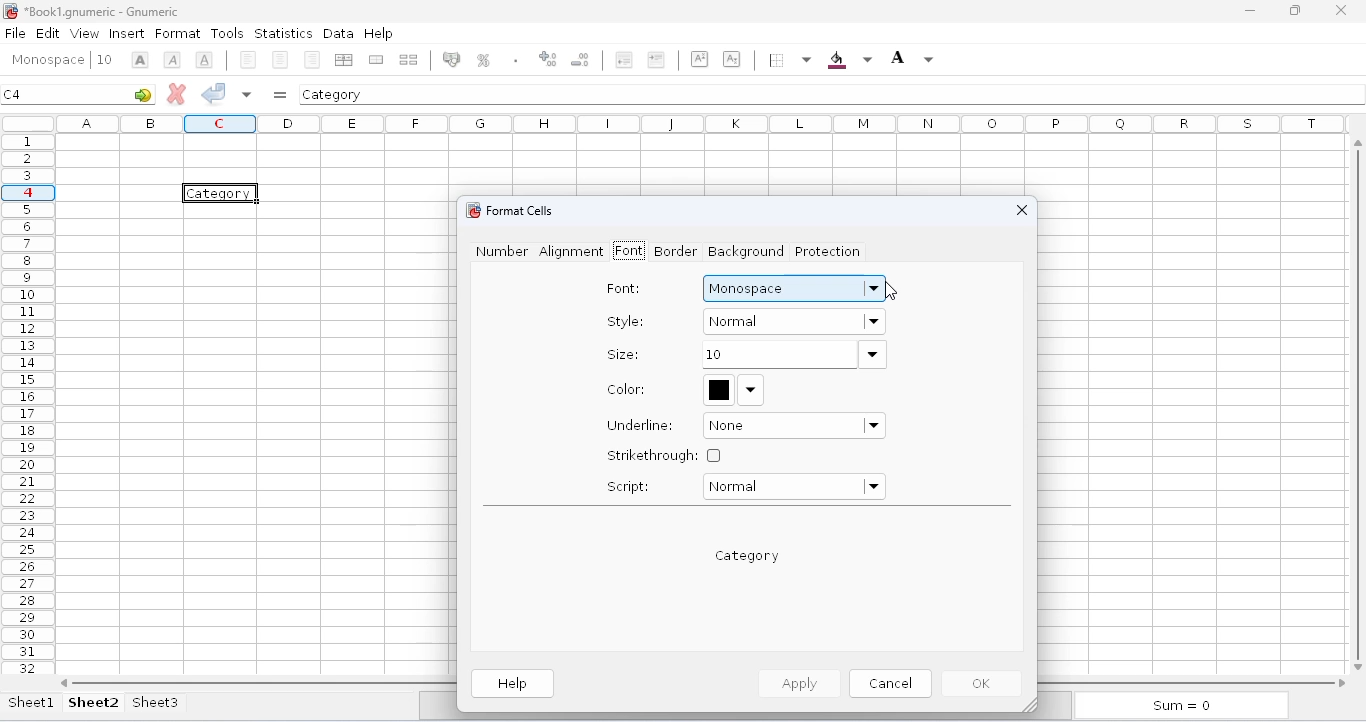 The height and width of the screenshot is (722, 1366). What do you see at coordinates (731, 58) in the screenshot?
I see `subscript` at bounding box center [731, 58].